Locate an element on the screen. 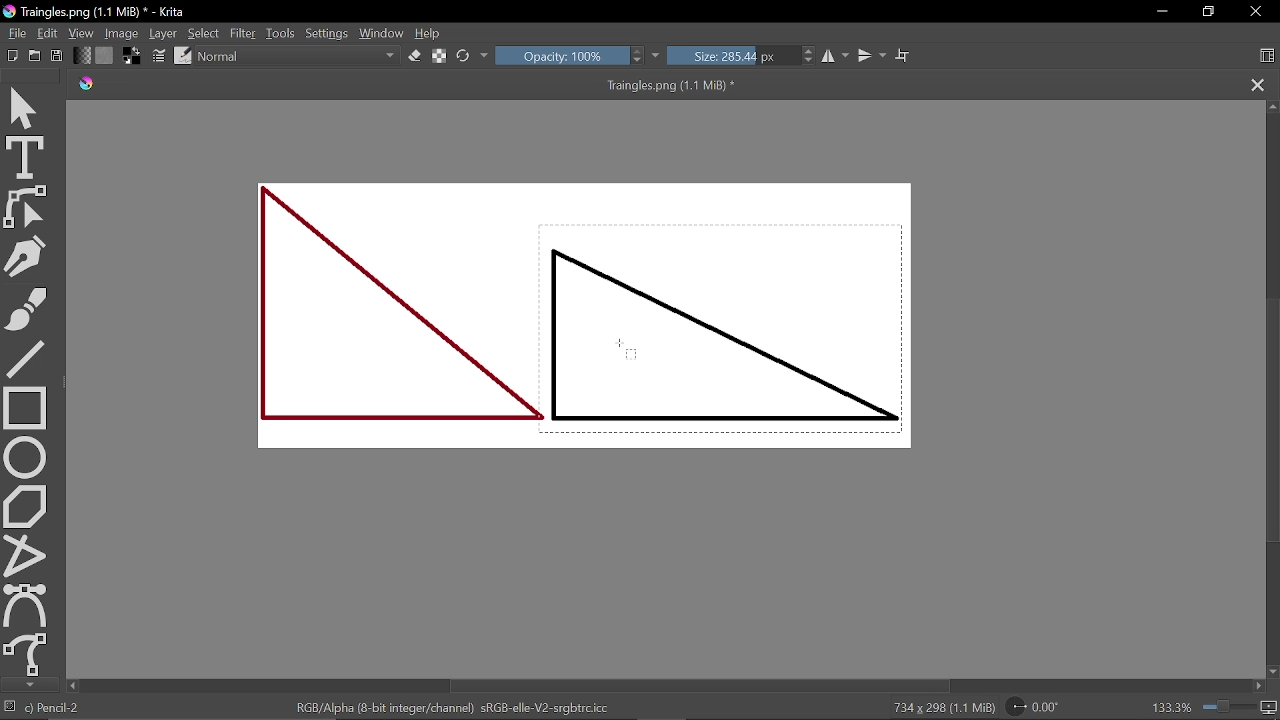  Select is located at coordinates (206, 33).